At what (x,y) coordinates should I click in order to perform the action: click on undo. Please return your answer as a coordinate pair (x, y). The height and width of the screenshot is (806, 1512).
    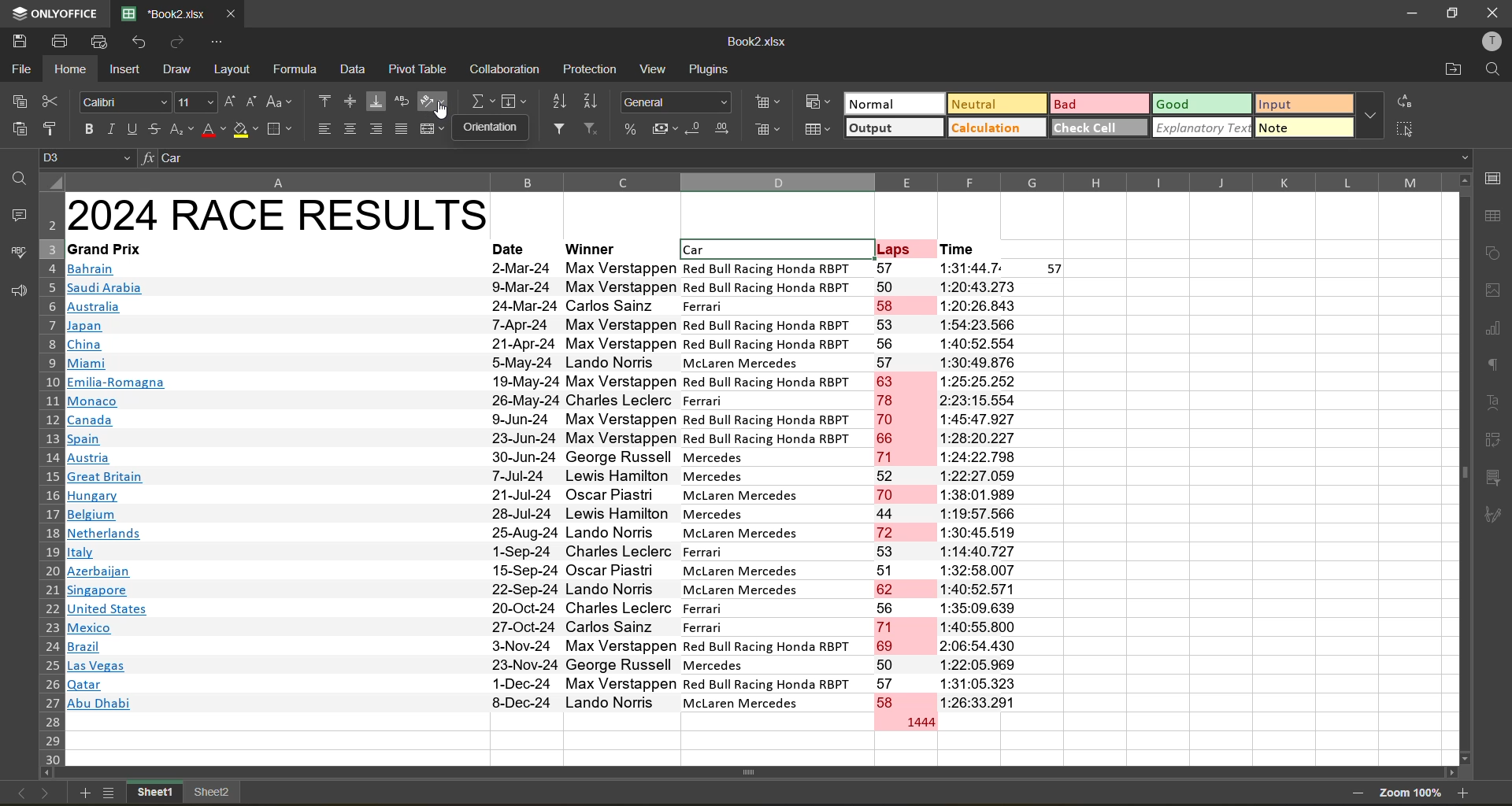
    Looking at the image, I should click on (141, 41).